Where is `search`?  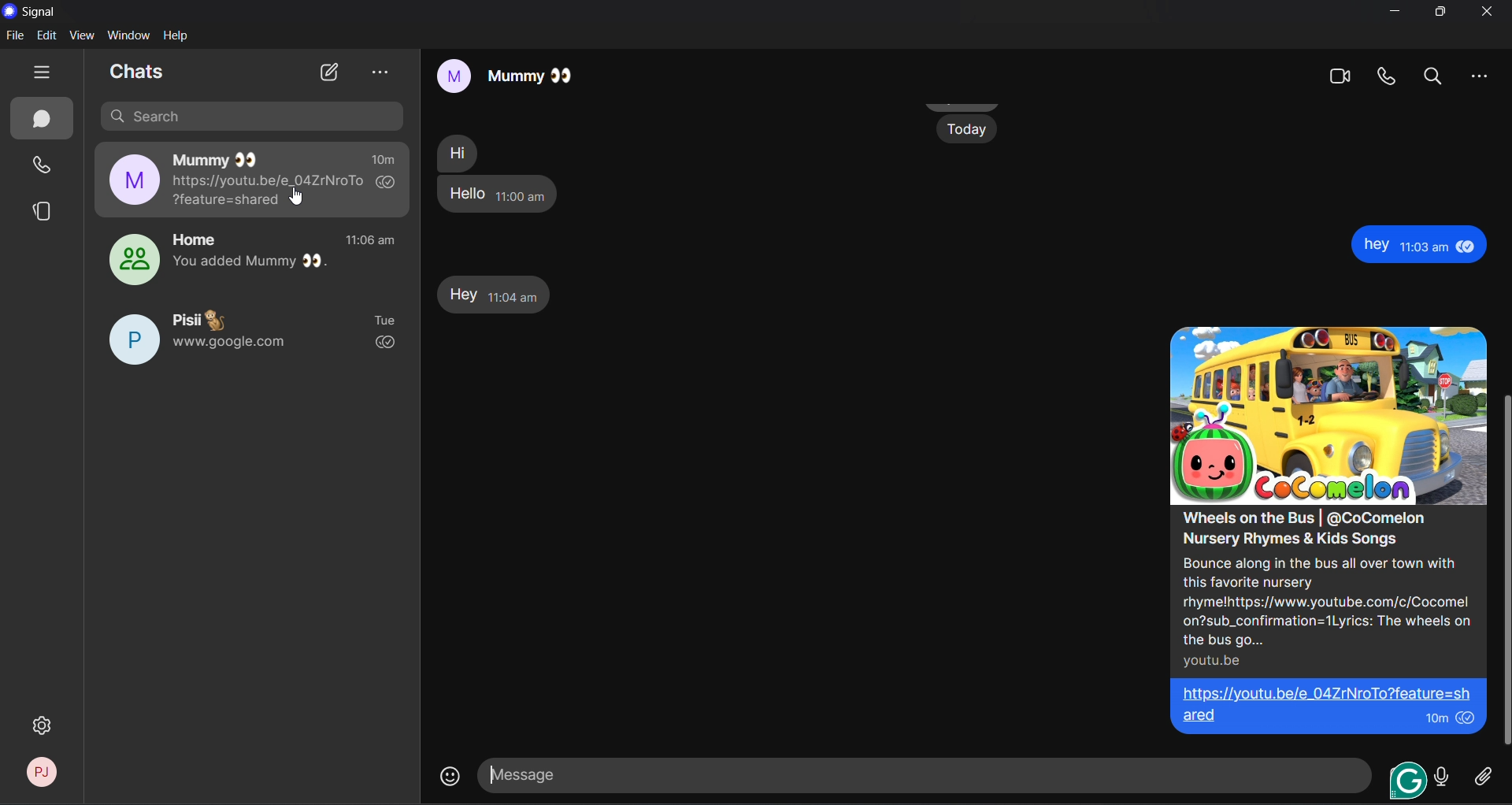
search is located at coordinates (256, 116).